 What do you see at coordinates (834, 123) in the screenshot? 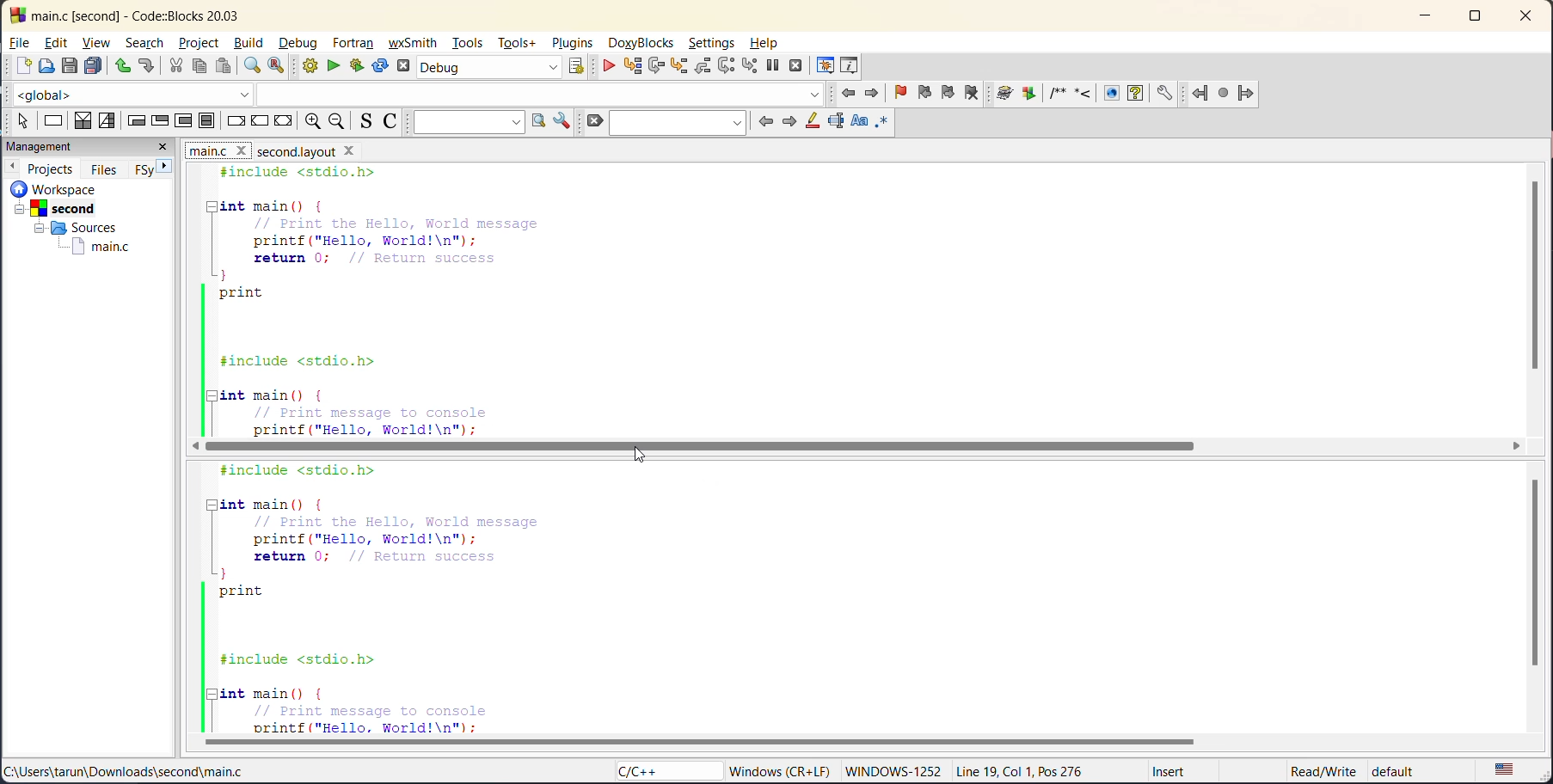
I see `selected text` at bounding box center [834, 123].